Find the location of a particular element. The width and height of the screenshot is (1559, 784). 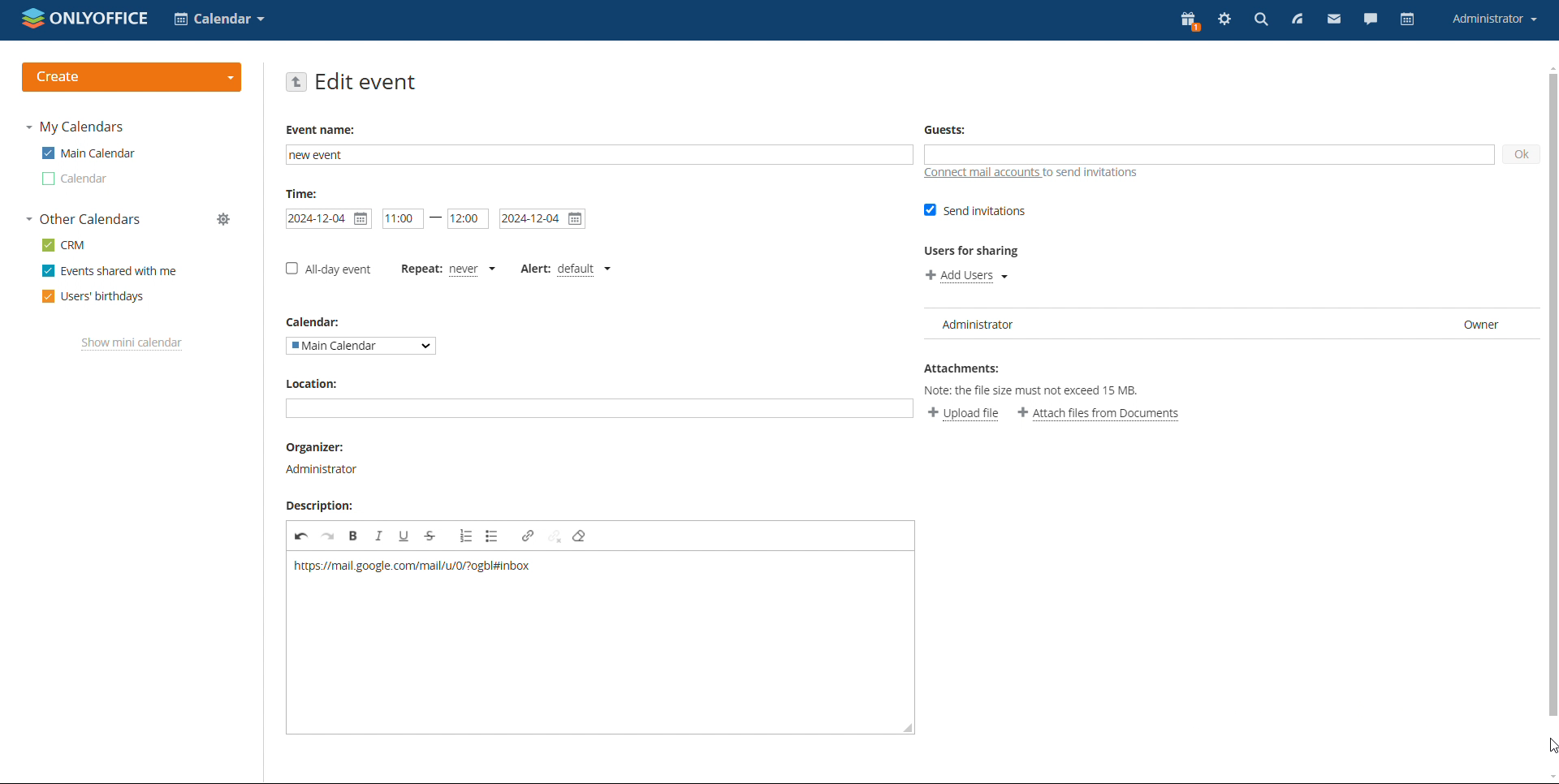

 is located at coordinates (581, 536).